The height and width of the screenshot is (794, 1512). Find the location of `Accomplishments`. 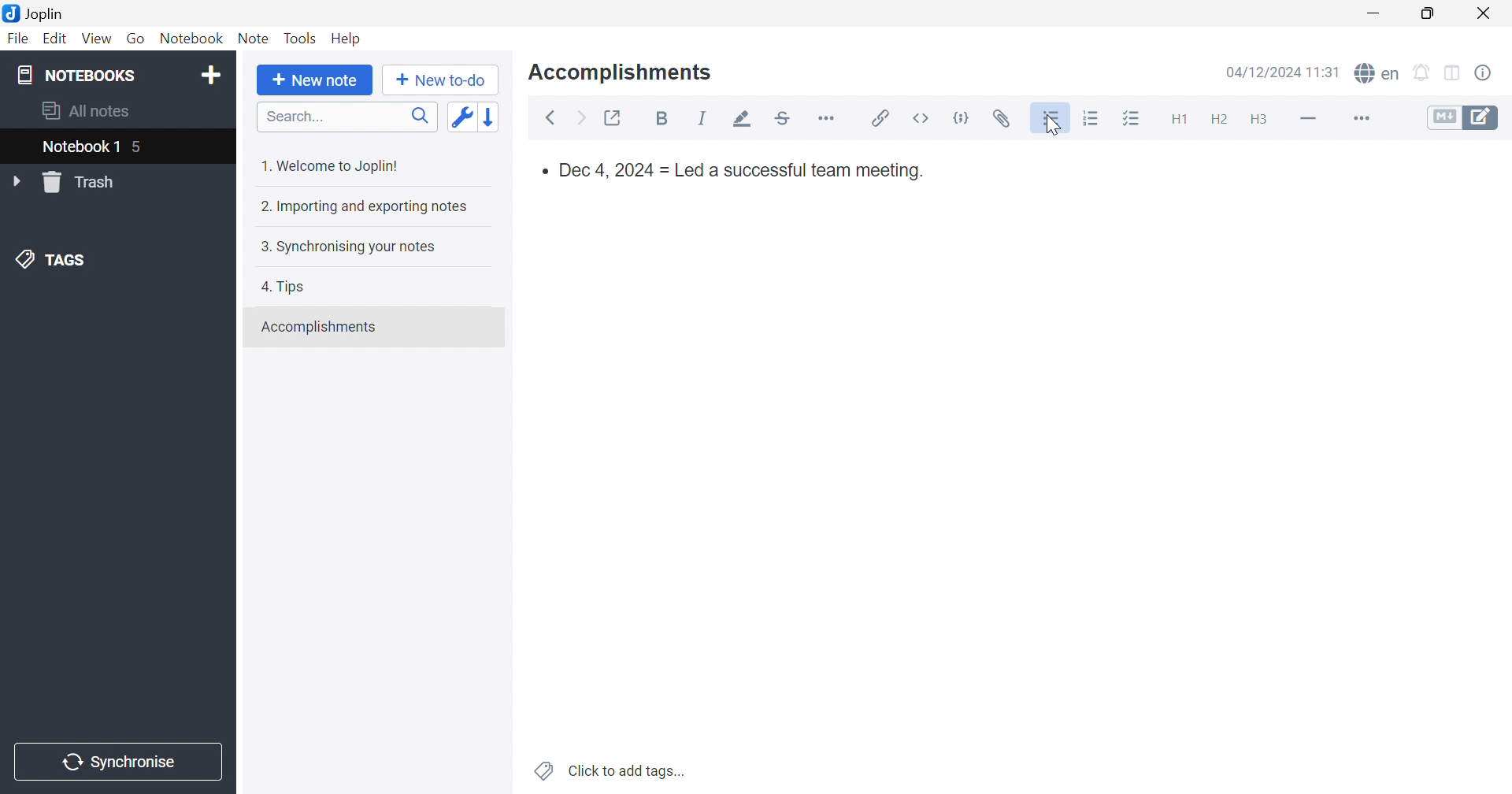

Accomplishments is located at coordinates (621, 72).